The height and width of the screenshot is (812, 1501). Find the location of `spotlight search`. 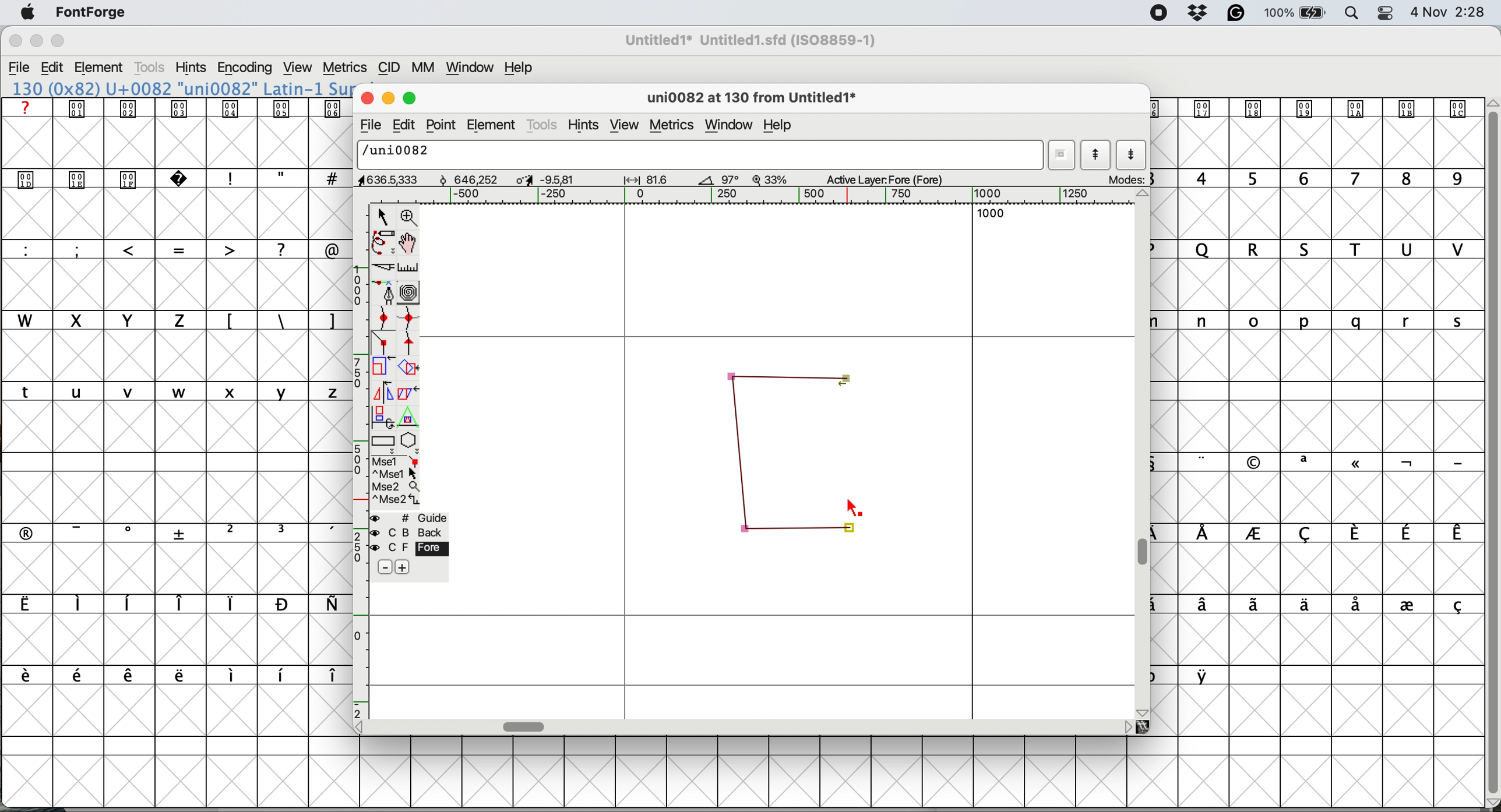

spotlight search is located at coordinates (1349, 15).